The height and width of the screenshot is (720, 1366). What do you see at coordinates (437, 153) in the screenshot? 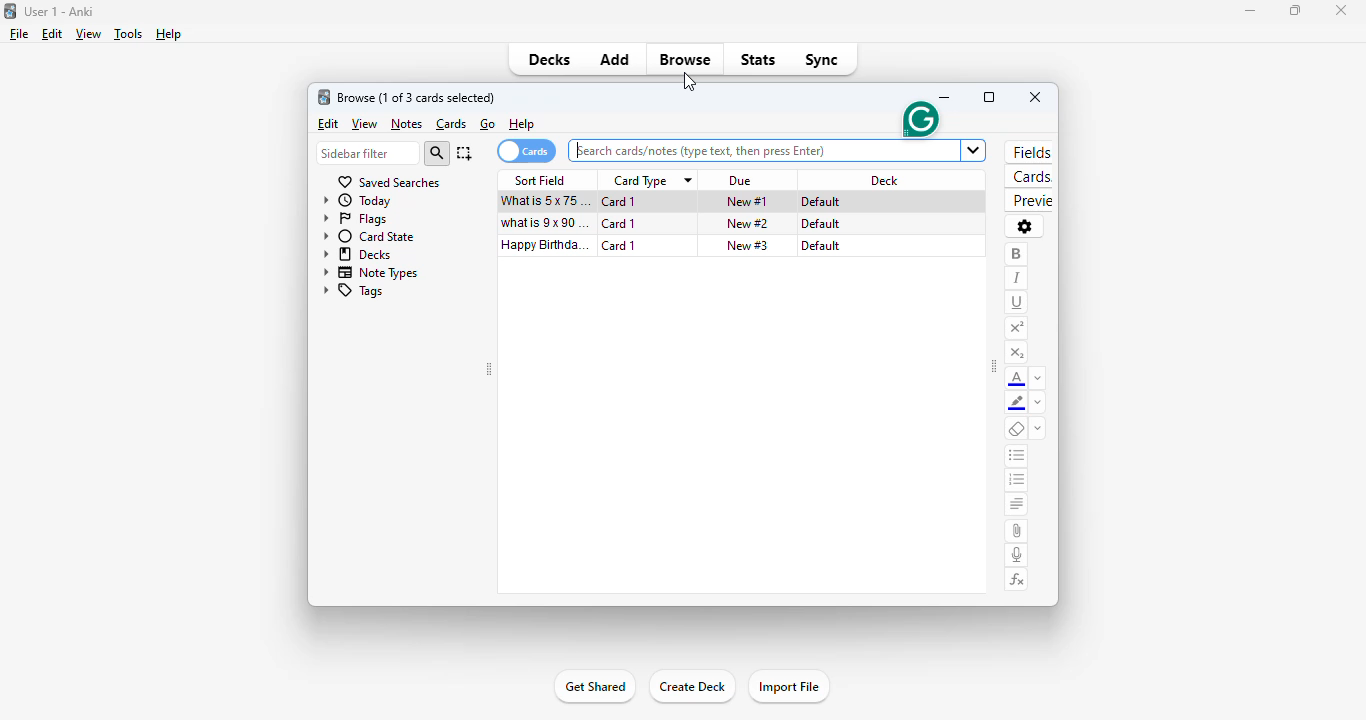
I see `search` at bounding box center [437, 153].